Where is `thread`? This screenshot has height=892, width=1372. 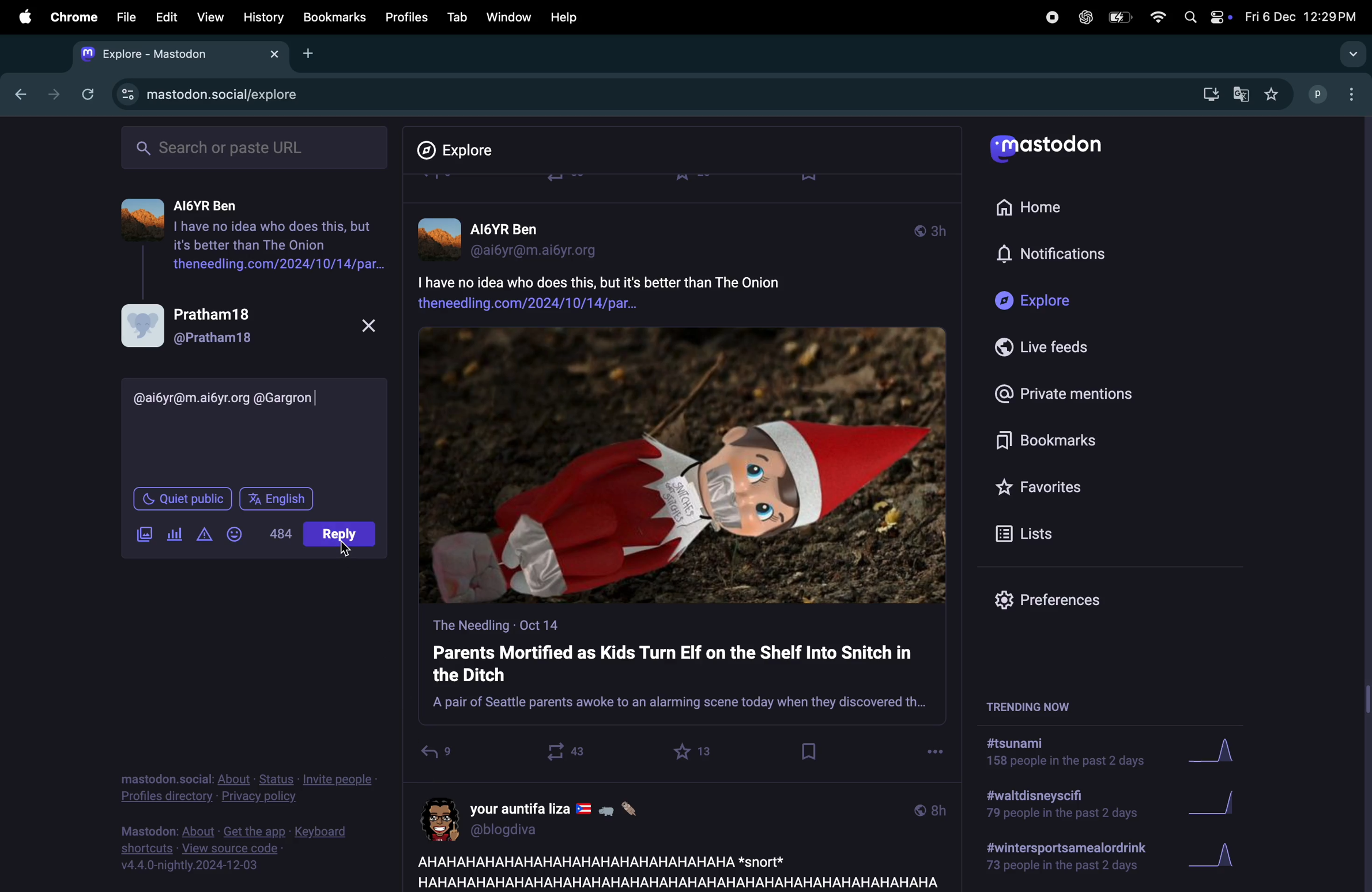 thread is located at coordinates (253, 233).